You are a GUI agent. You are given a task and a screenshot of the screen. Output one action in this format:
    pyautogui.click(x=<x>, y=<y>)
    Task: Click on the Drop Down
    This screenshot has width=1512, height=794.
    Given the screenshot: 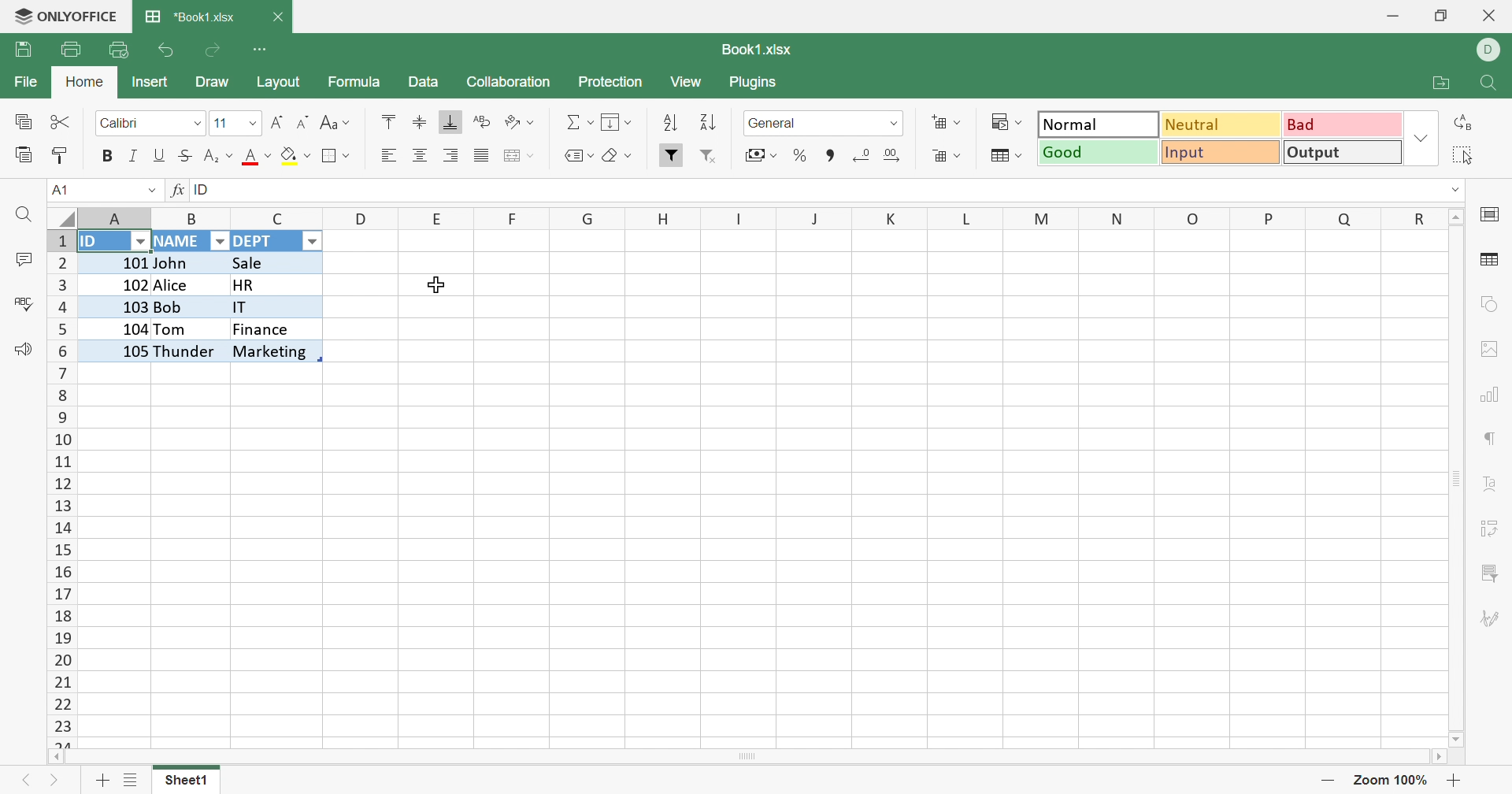 What is the action you would take?
    pyautogui.click(x=137, y=240)
    